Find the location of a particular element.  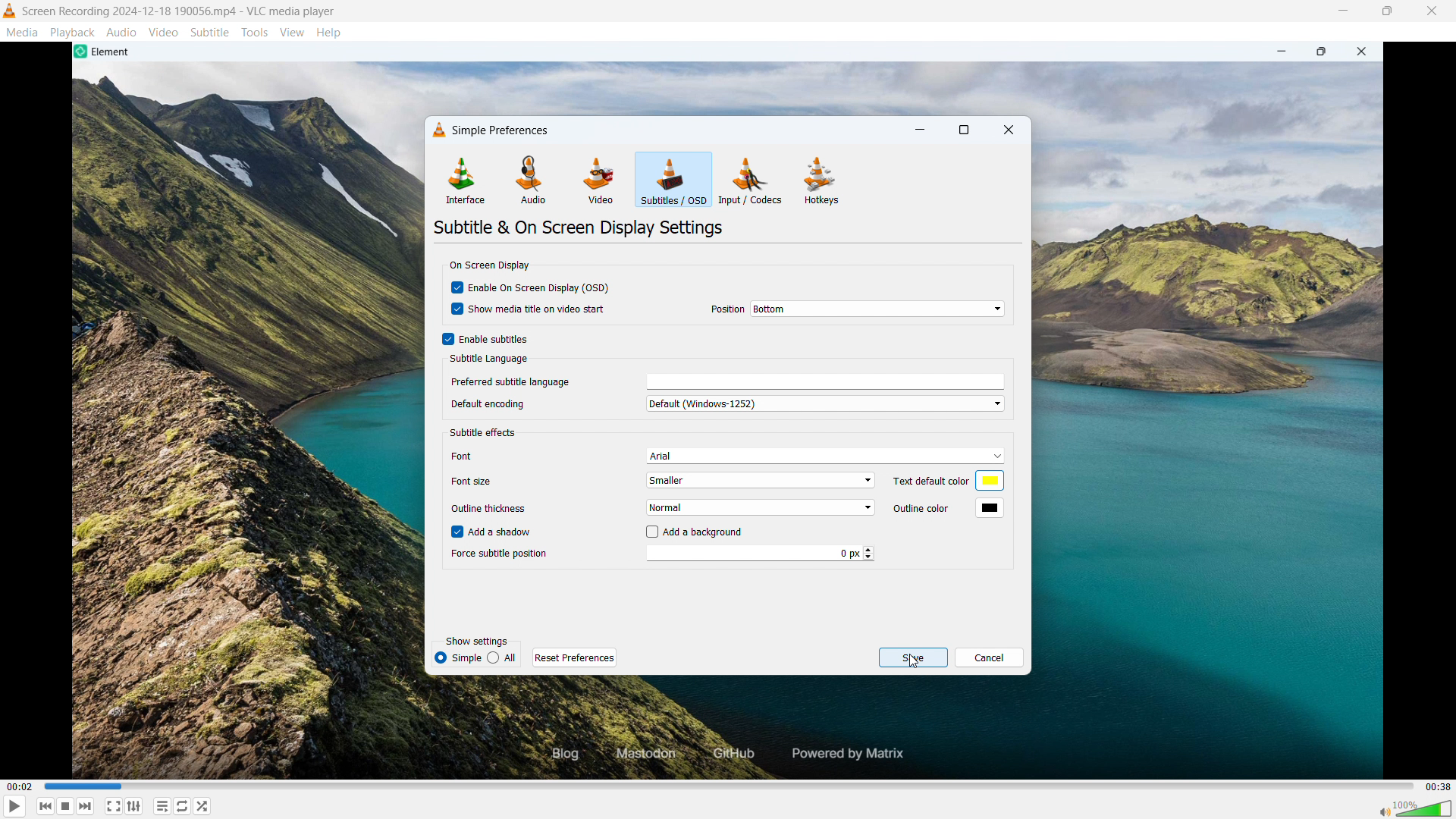

Time elapsed  is located at coordinates (20, 786).